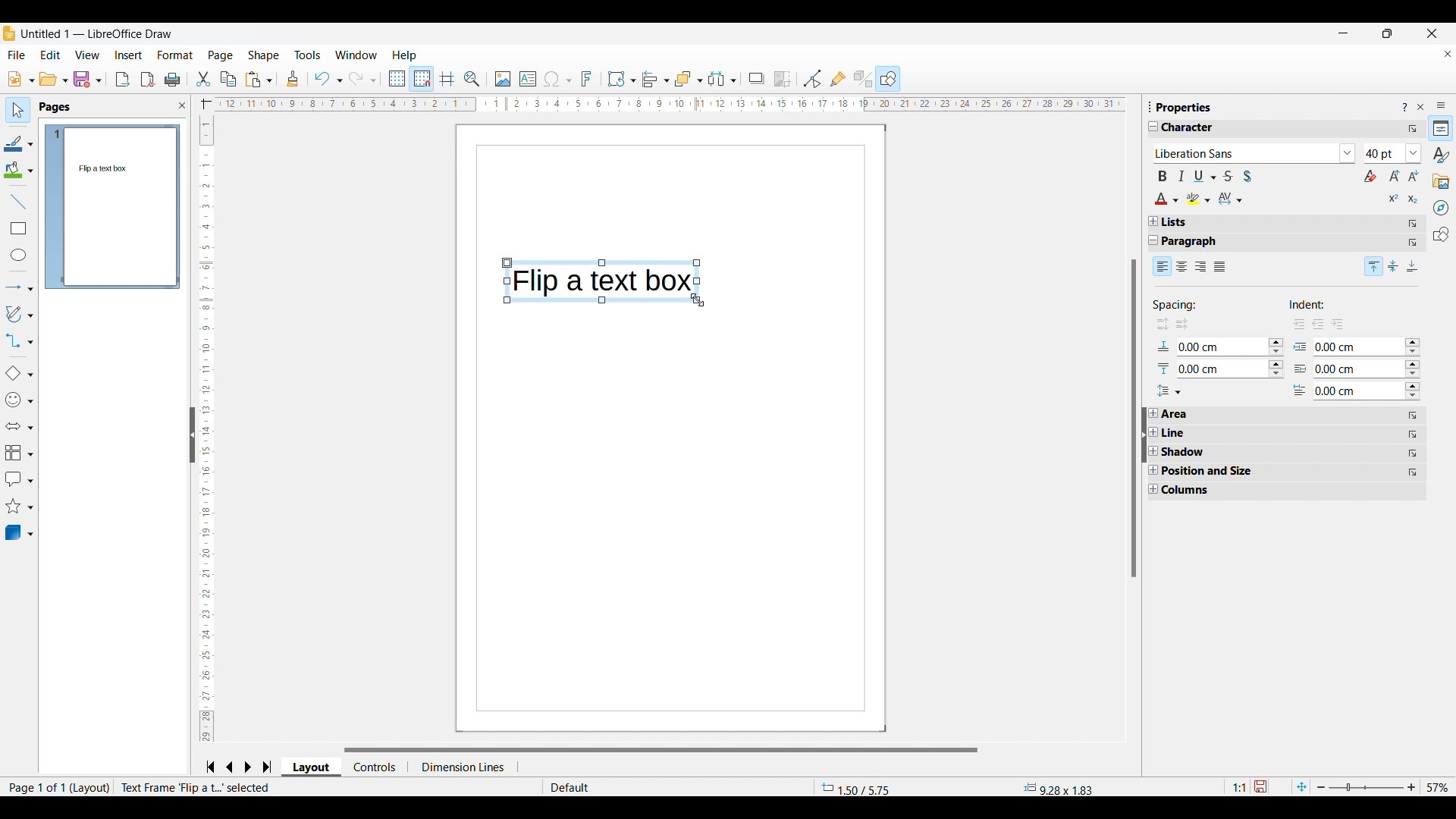 The width and height of the screenshot is (1456, 819). What do you see at coordinates (1404, 108) in the screenshot?
I see `Help about sidebar` at bounding box center [1404, 108].